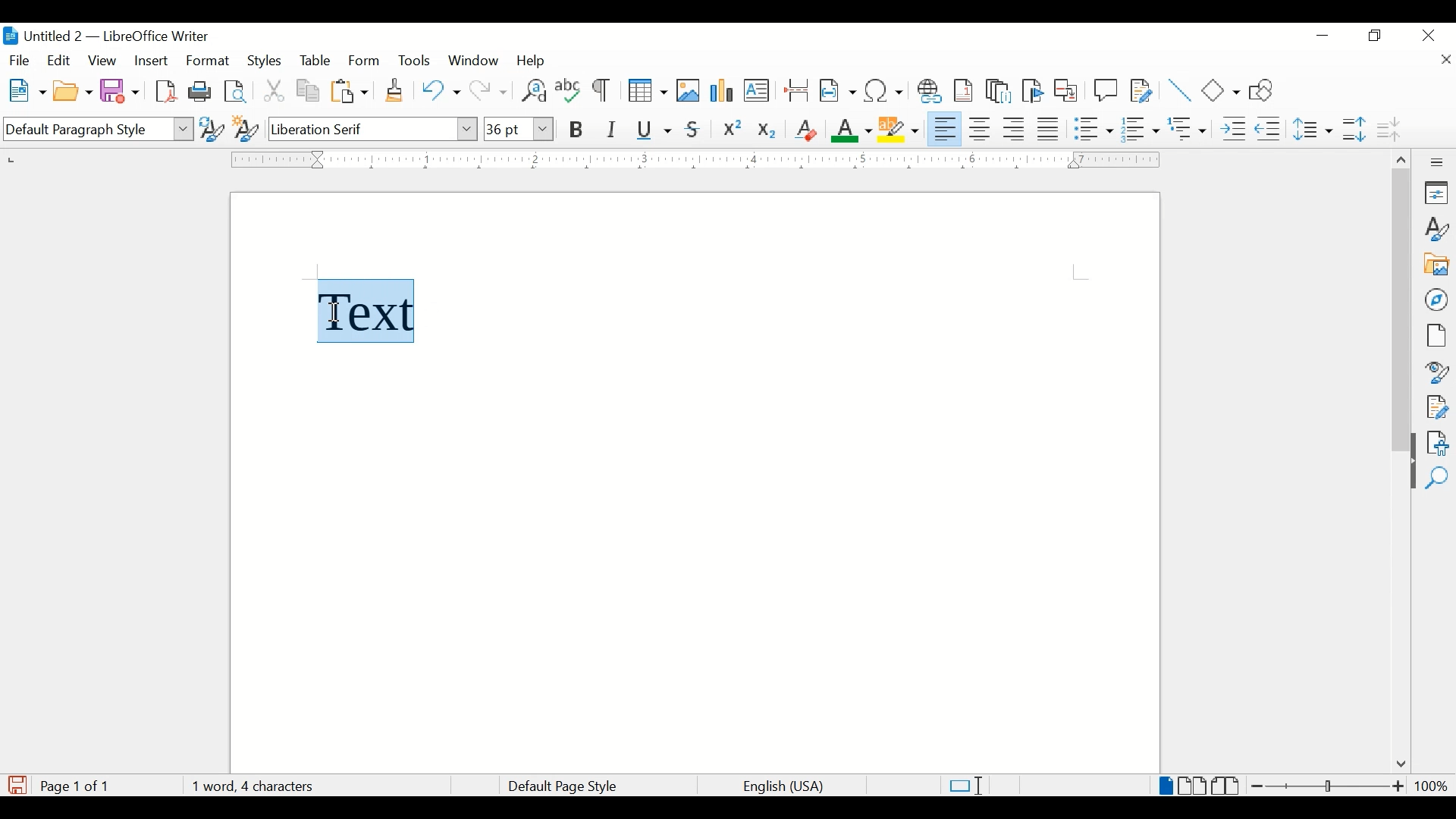 Image resolution: width=1456 pixels, height=819 pixels. I want to click on restore down, so click(1376, 36).